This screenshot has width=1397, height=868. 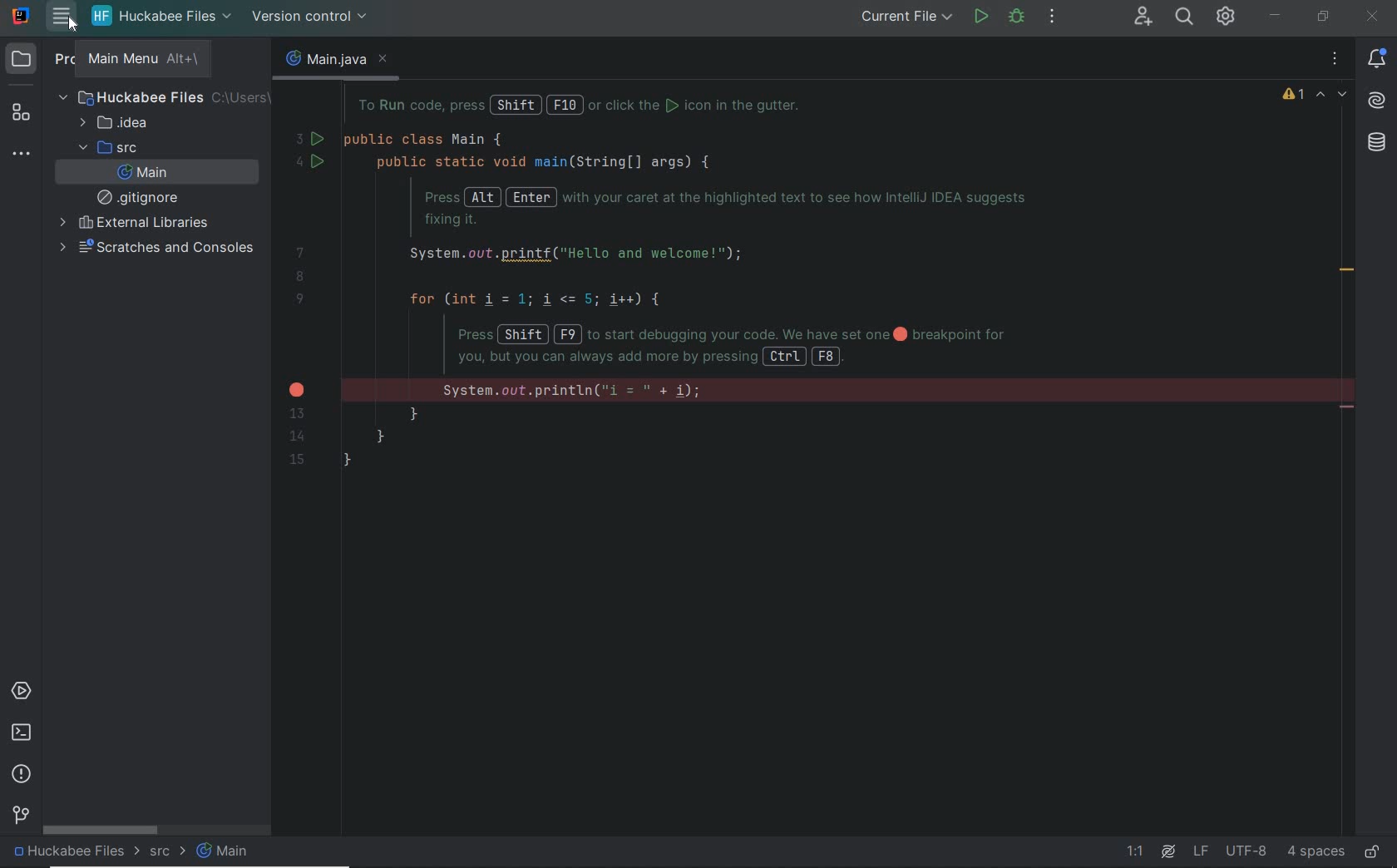 What do you see at coordinates (1143, 16) in the screenshot?
I see `CODE WITH ME` at bounding box center [1143, 16].